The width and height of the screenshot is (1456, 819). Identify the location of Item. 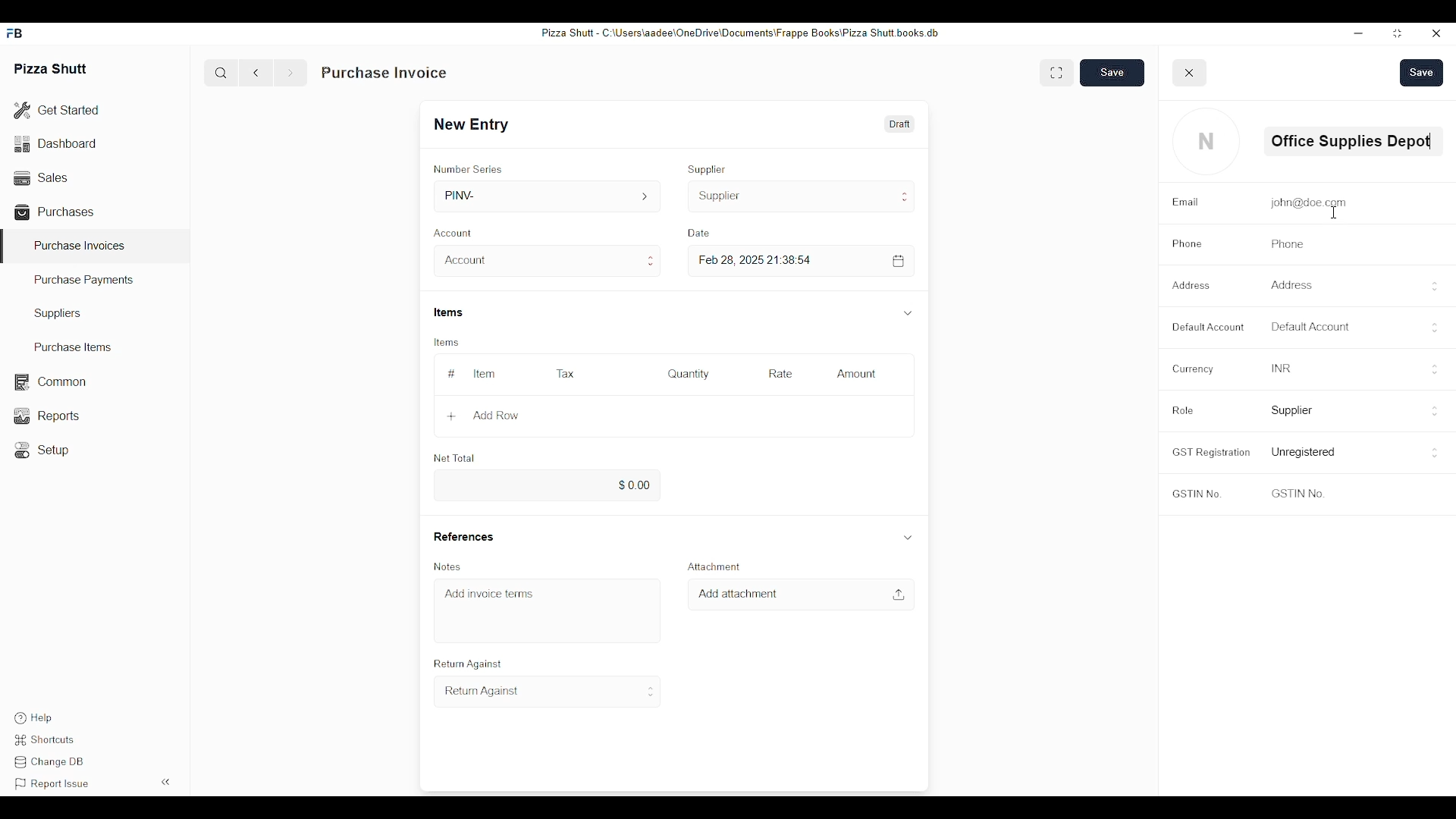
(485, 374).